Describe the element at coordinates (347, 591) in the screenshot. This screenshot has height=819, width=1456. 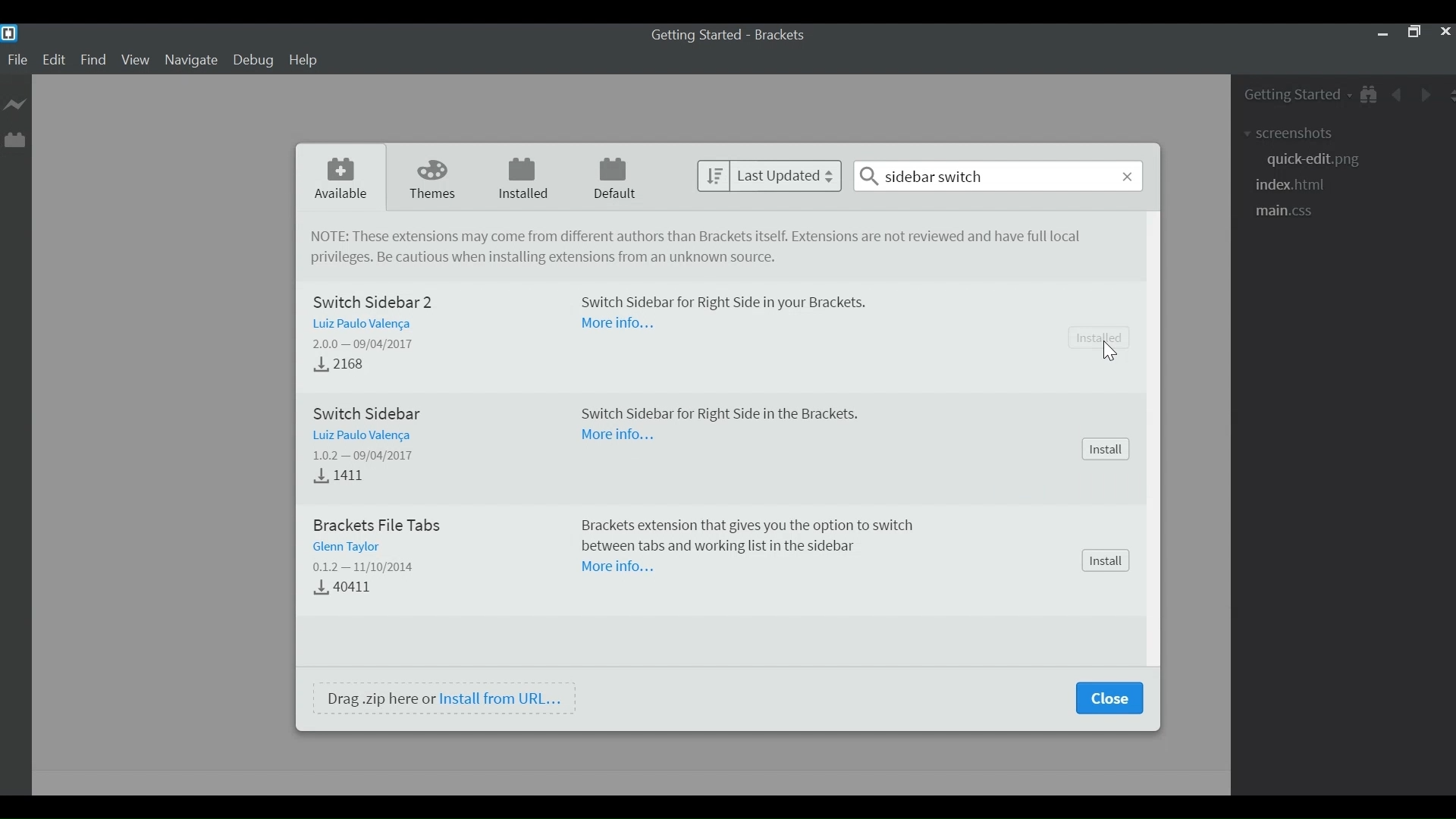
I see `40411` at that location.